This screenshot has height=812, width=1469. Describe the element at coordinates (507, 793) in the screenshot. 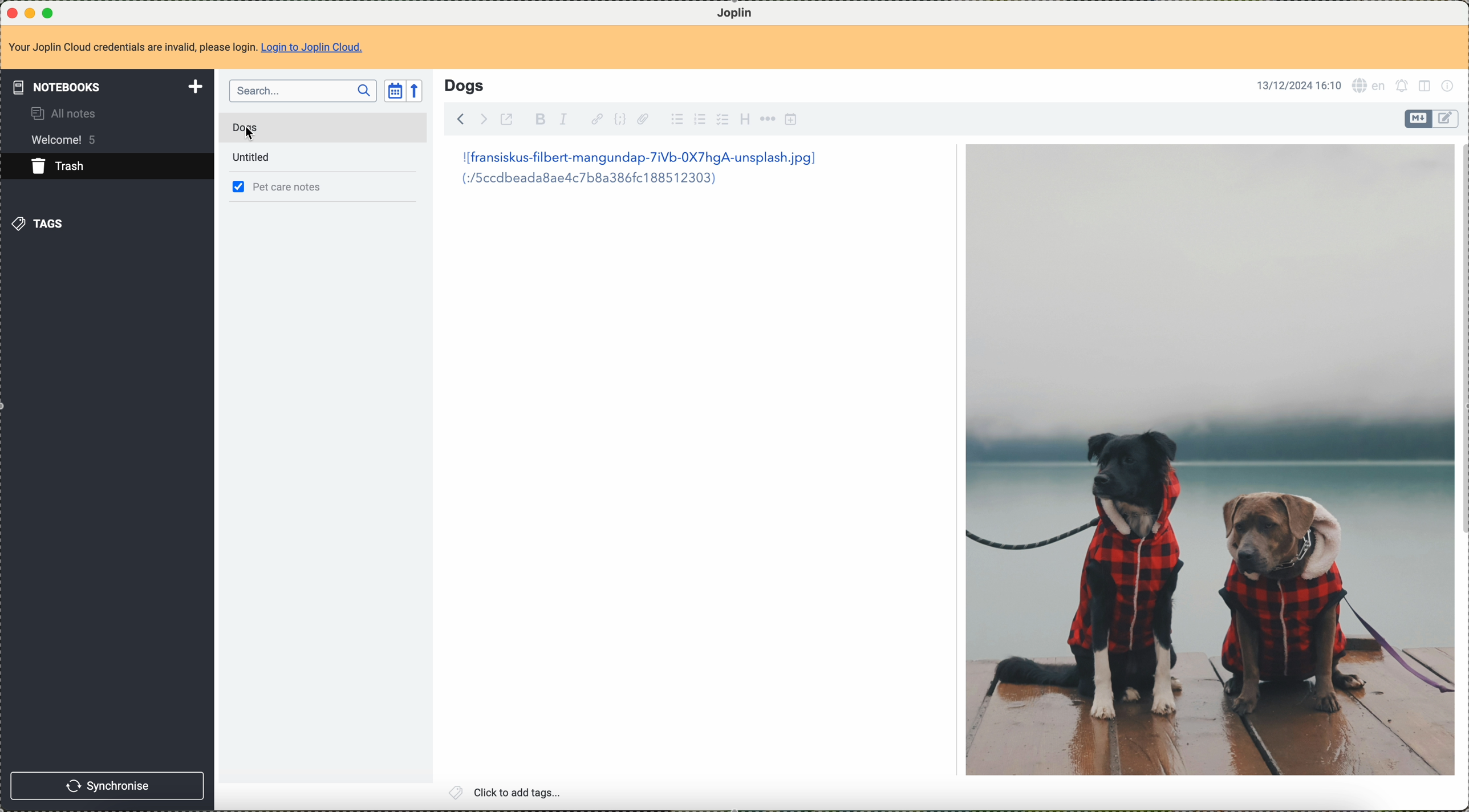

I see `click to add tags` at that location.